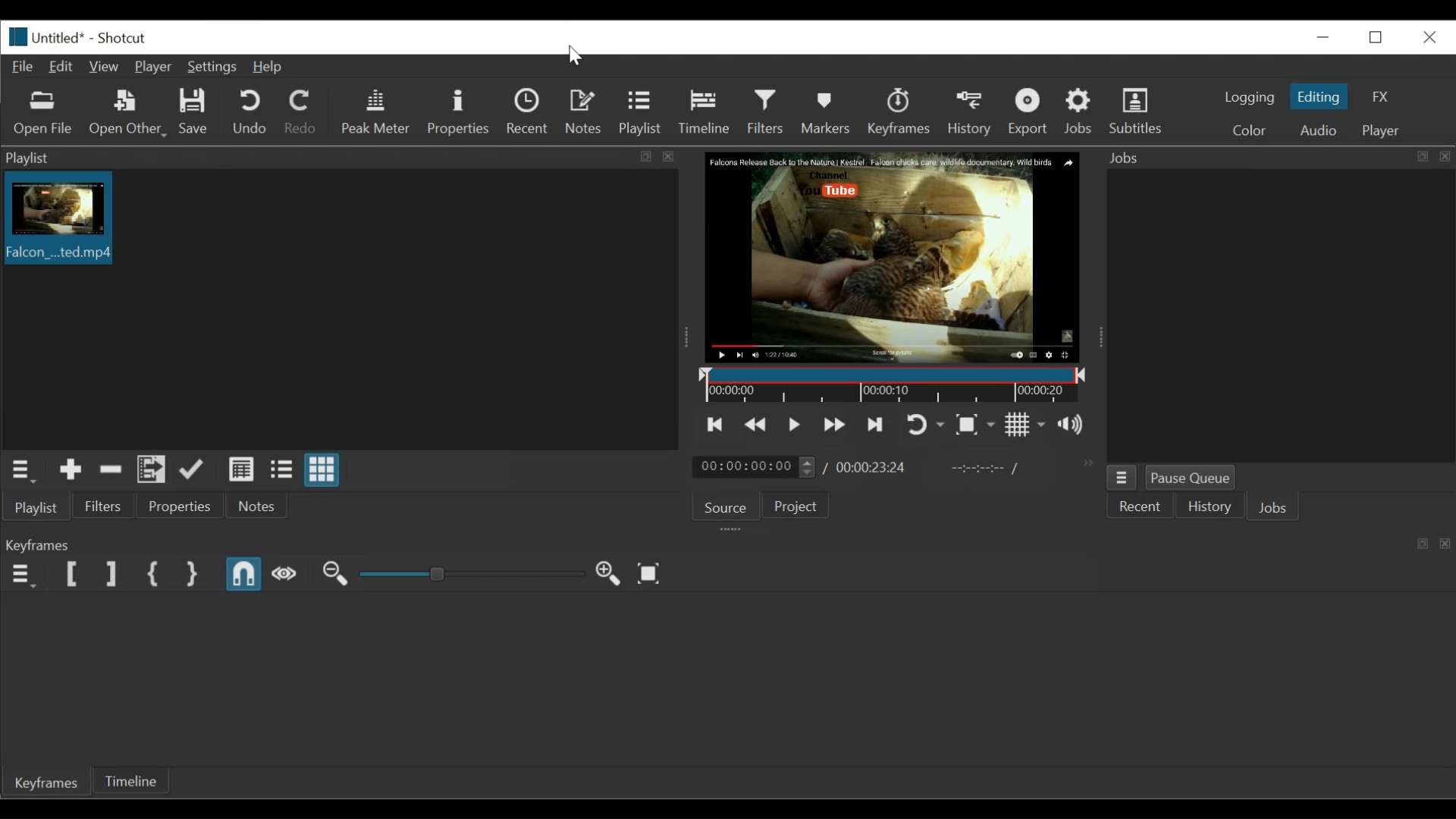  I want to click on Set Filter First, so click(72, 576).